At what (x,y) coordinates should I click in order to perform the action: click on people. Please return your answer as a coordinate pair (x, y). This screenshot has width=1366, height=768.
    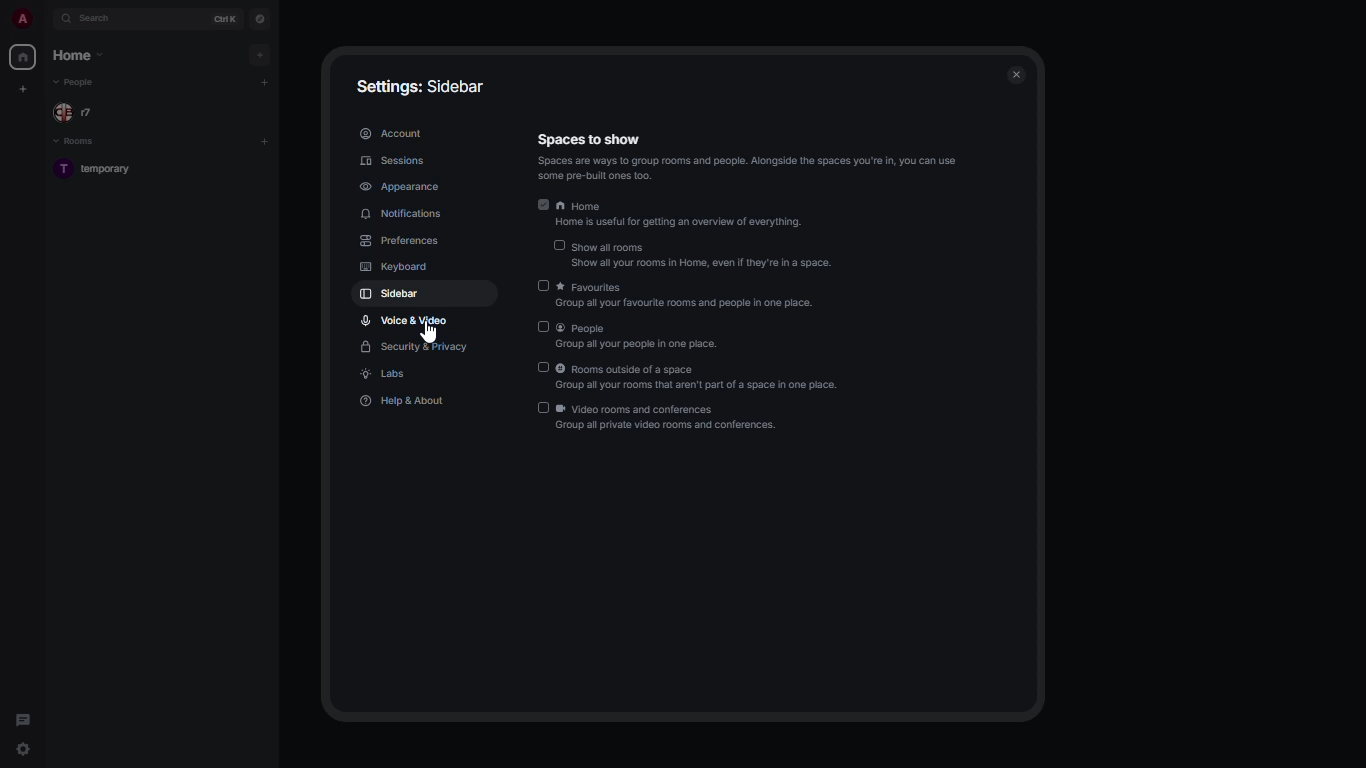
    Looking at the image, I should click on (77, 84).